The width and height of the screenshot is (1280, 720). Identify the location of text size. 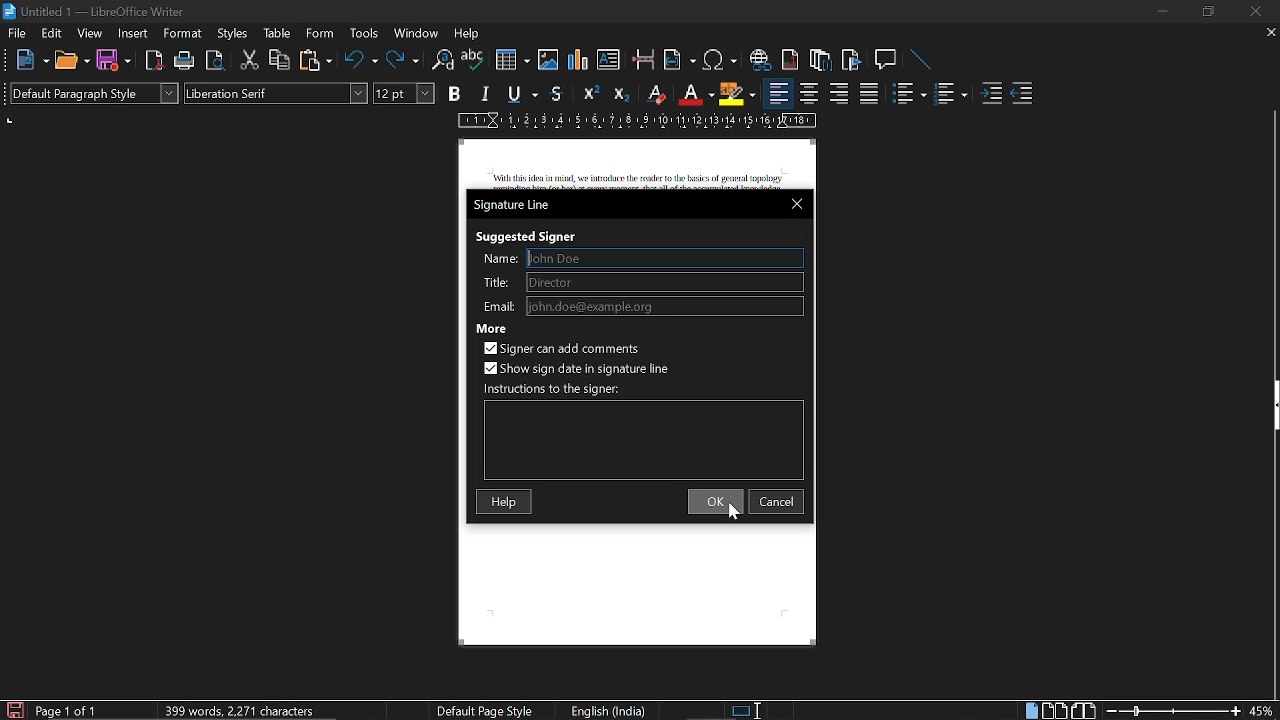
(404, 94).